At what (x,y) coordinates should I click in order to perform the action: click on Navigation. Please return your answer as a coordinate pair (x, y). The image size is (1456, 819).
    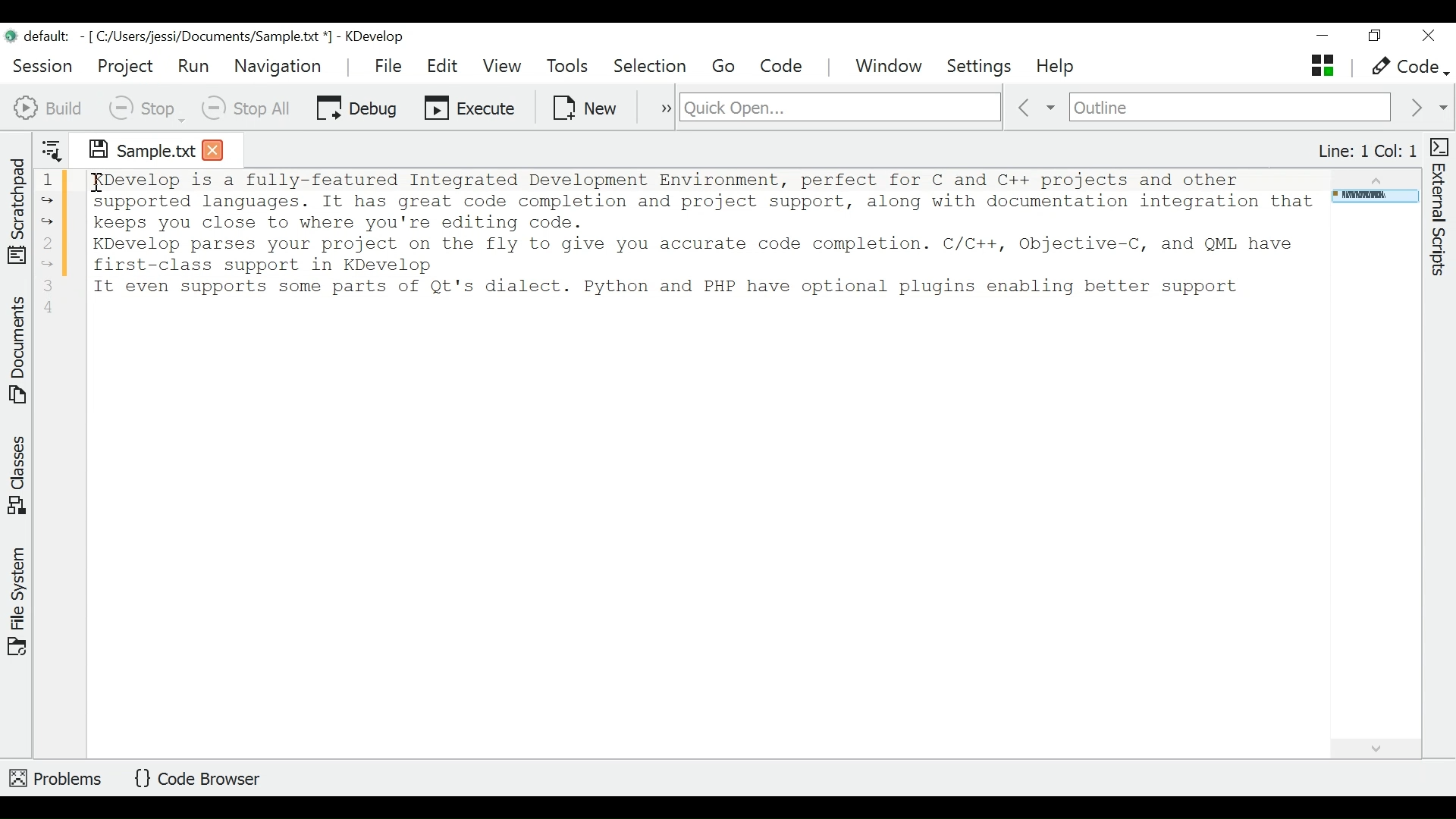
    Looking at the image, I should click on (281, 66).